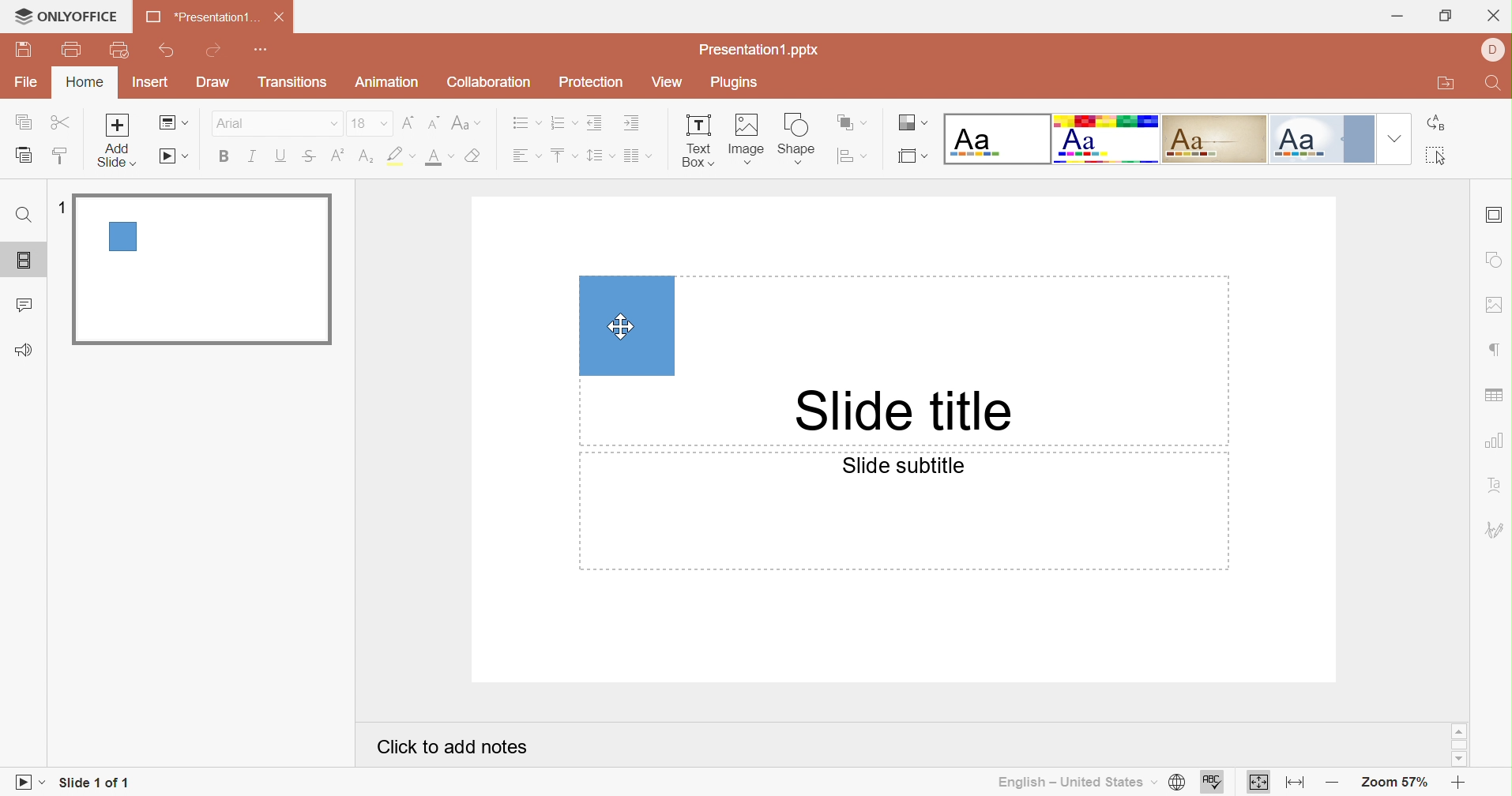 The width and height of the screenshot is (1512, 796). I want to click on 1, so click(64, 210).